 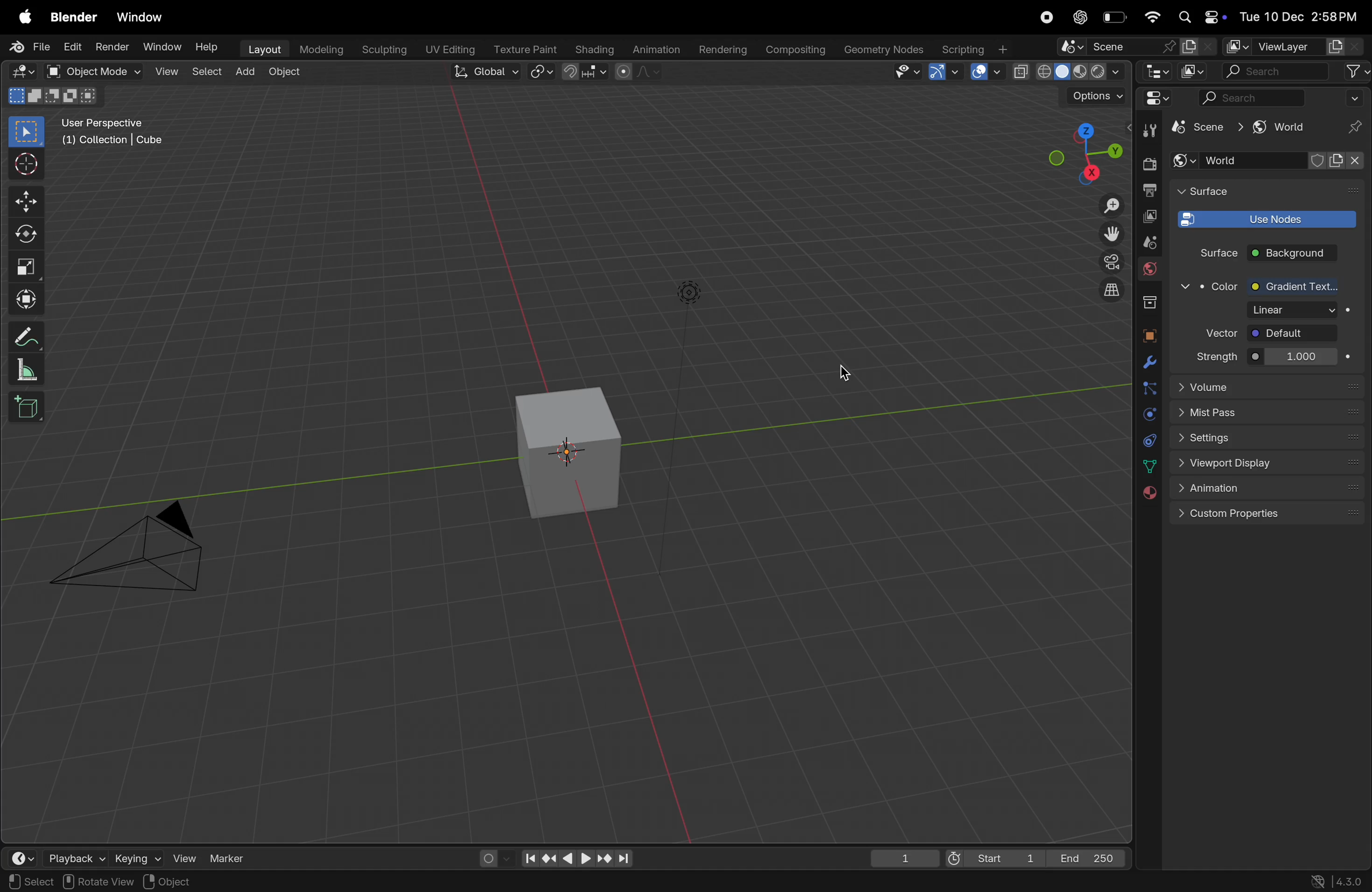 I want to click on World, so click(x=1149, y=270).